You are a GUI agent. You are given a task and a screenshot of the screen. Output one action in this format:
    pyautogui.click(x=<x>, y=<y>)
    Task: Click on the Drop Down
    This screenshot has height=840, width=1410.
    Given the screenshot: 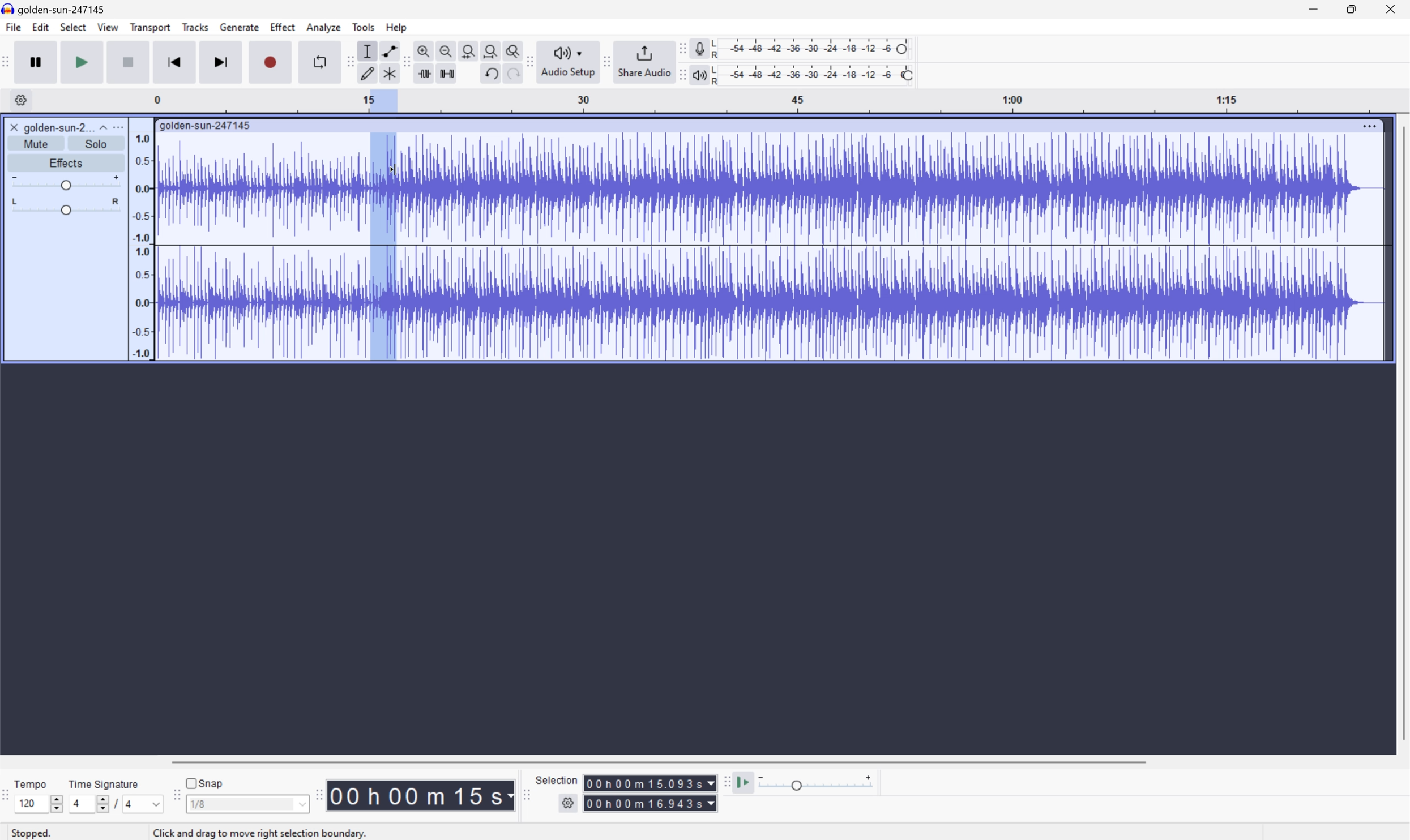 What is the action you would take?
    pyautogui.click(x=152, y=804)
    